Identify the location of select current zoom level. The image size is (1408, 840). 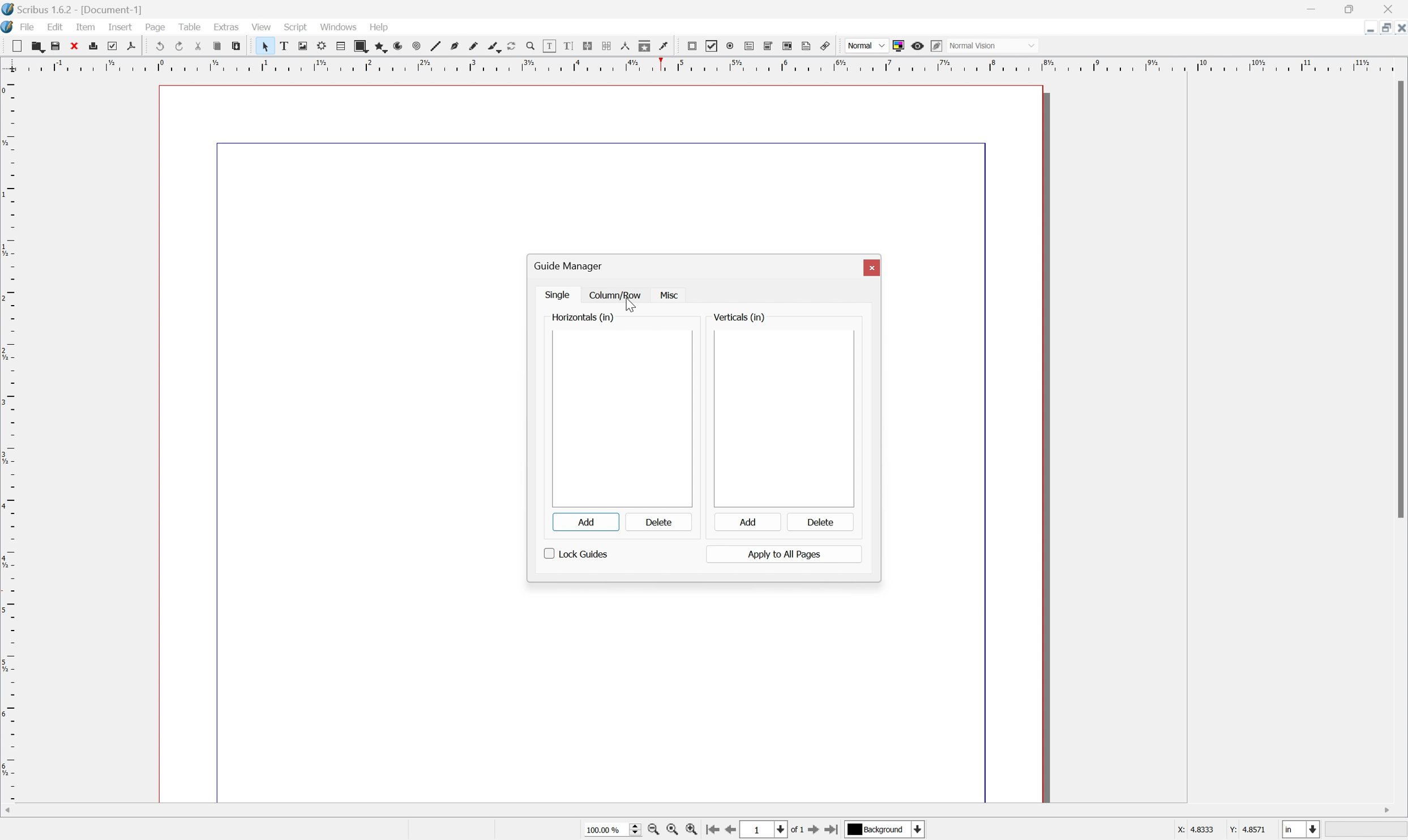
(613, 830).